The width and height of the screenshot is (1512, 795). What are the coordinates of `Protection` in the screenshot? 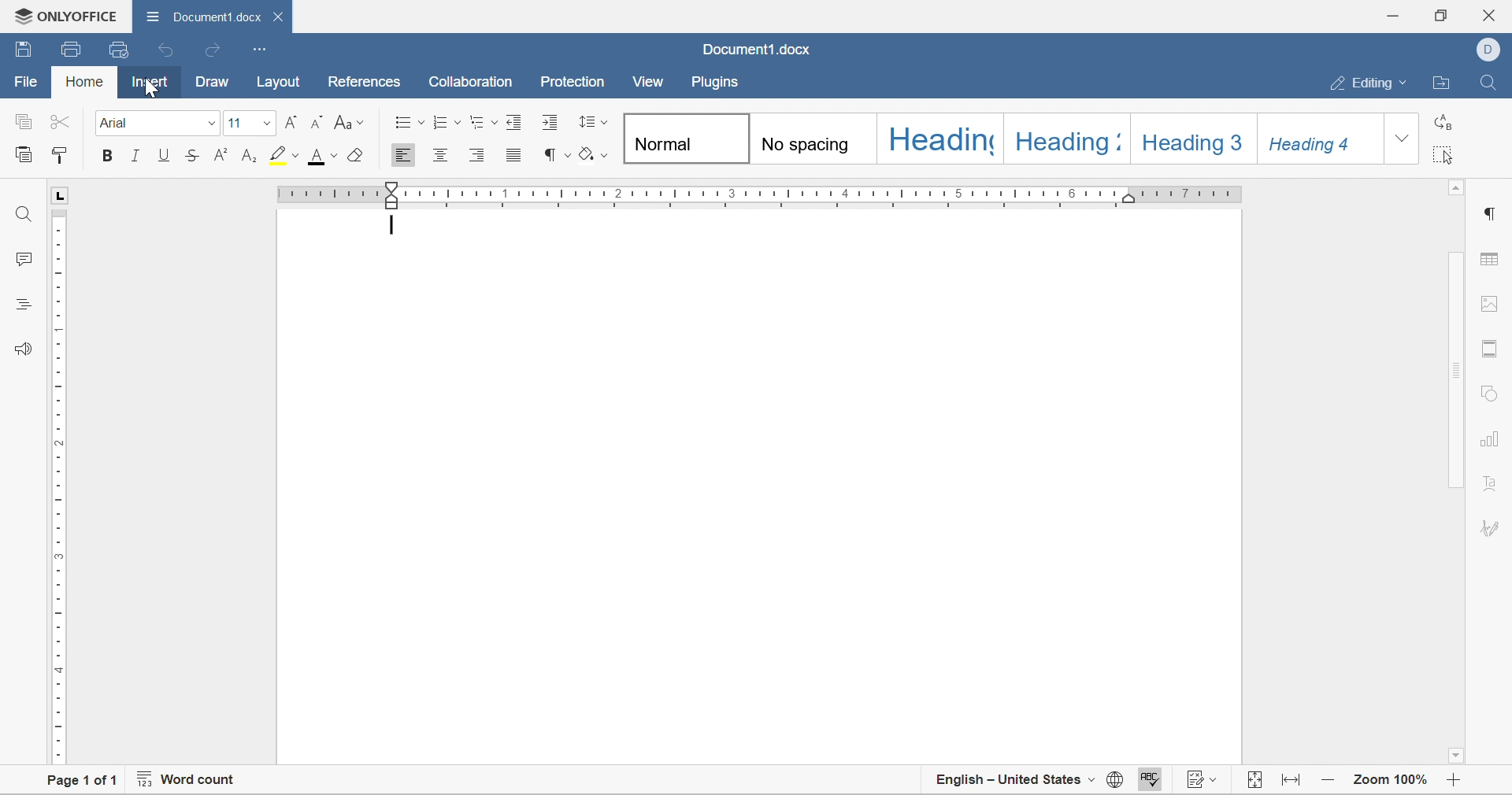 It's located at (571, 83).